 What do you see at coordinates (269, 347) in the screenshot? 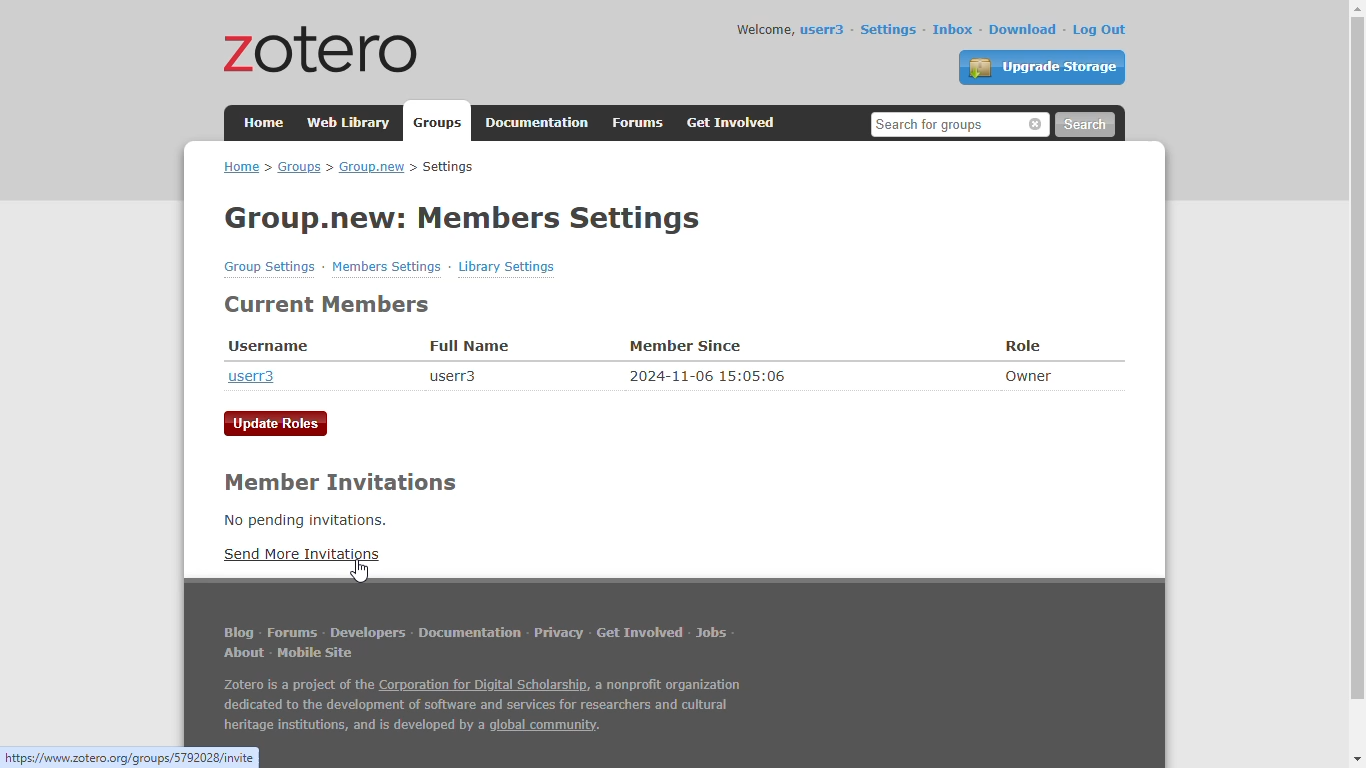
I see `username` at bounding box center [269, 347].